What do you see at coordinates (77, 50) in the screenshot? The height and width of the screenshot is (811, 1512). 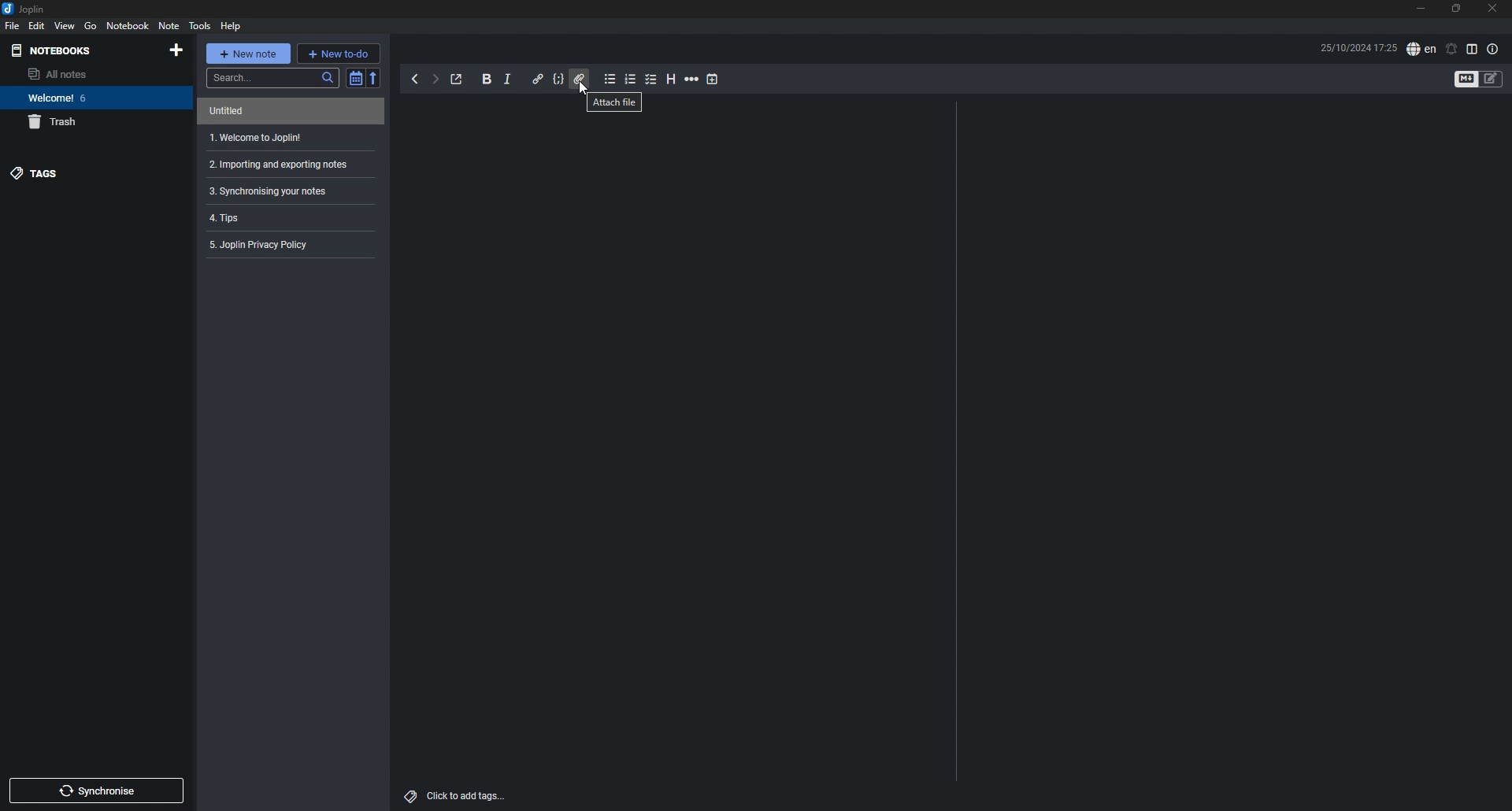 I see `notebooks` at bounding box center [77, 50].